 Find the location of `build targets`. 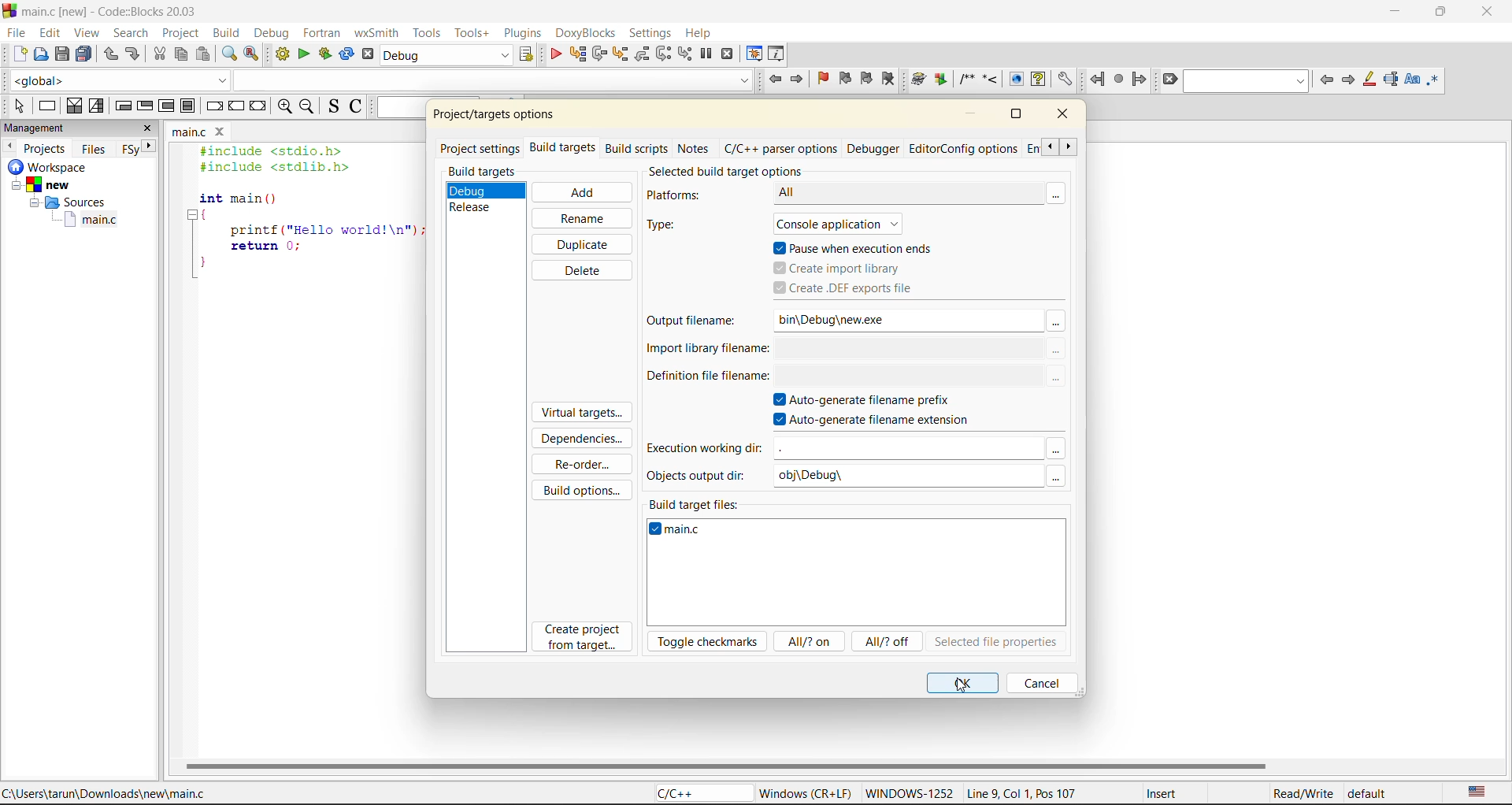

build targets is located at coordinates (565, 150).